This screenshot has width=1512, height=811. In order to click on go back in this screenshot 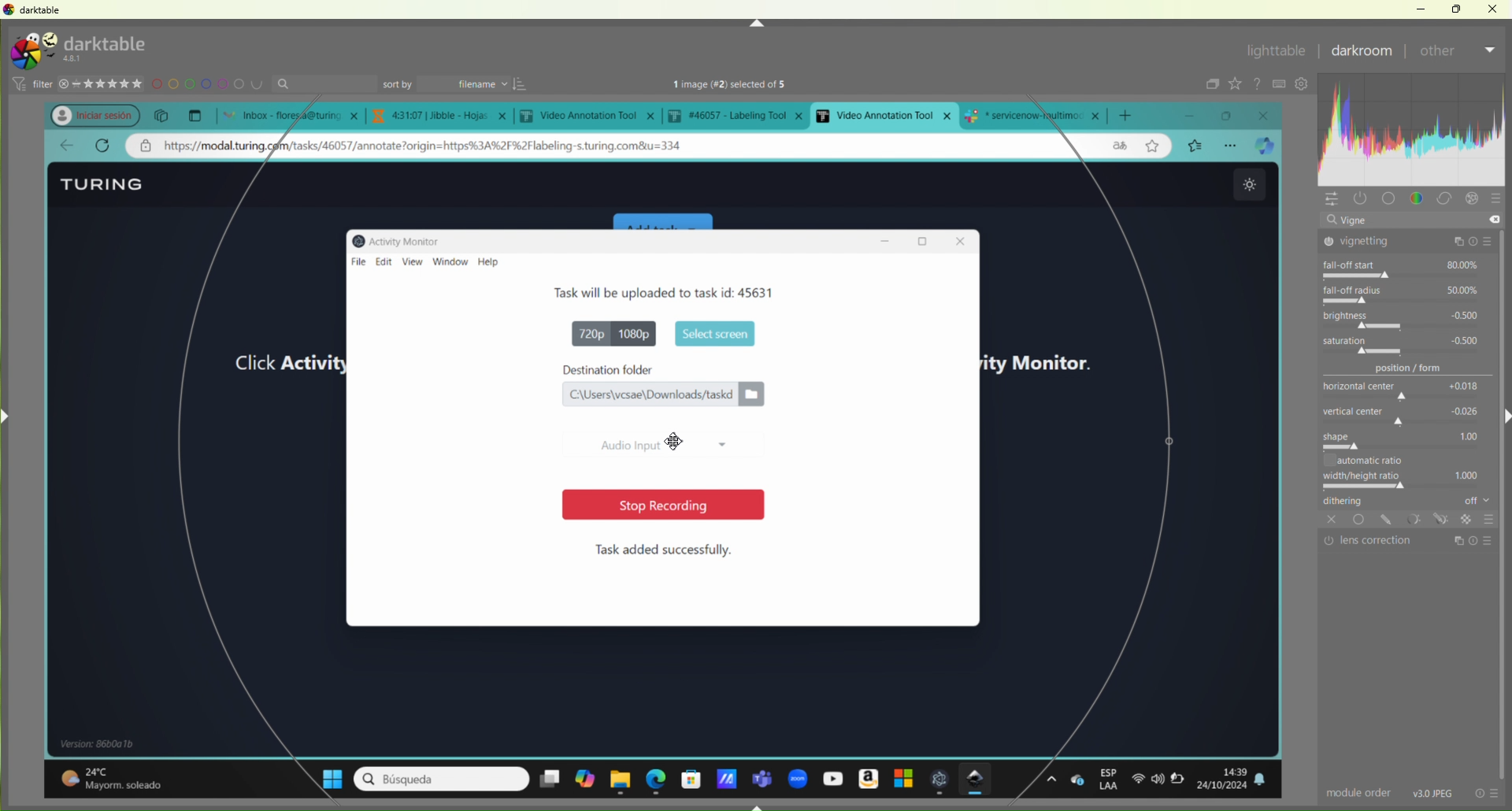, I will do `click(66, 146)`.